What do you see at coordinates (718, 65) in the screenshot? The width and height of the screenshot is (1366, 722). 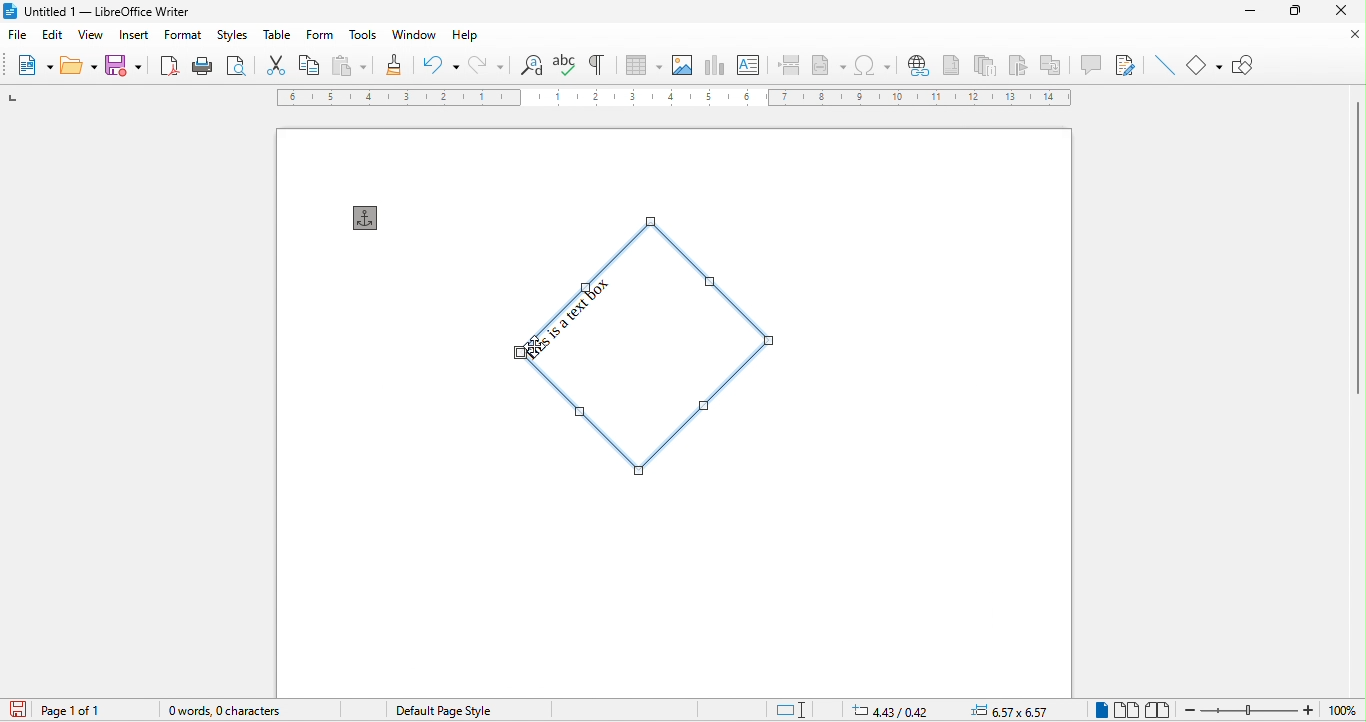 I see `chart` at bounding box center [718, 65].